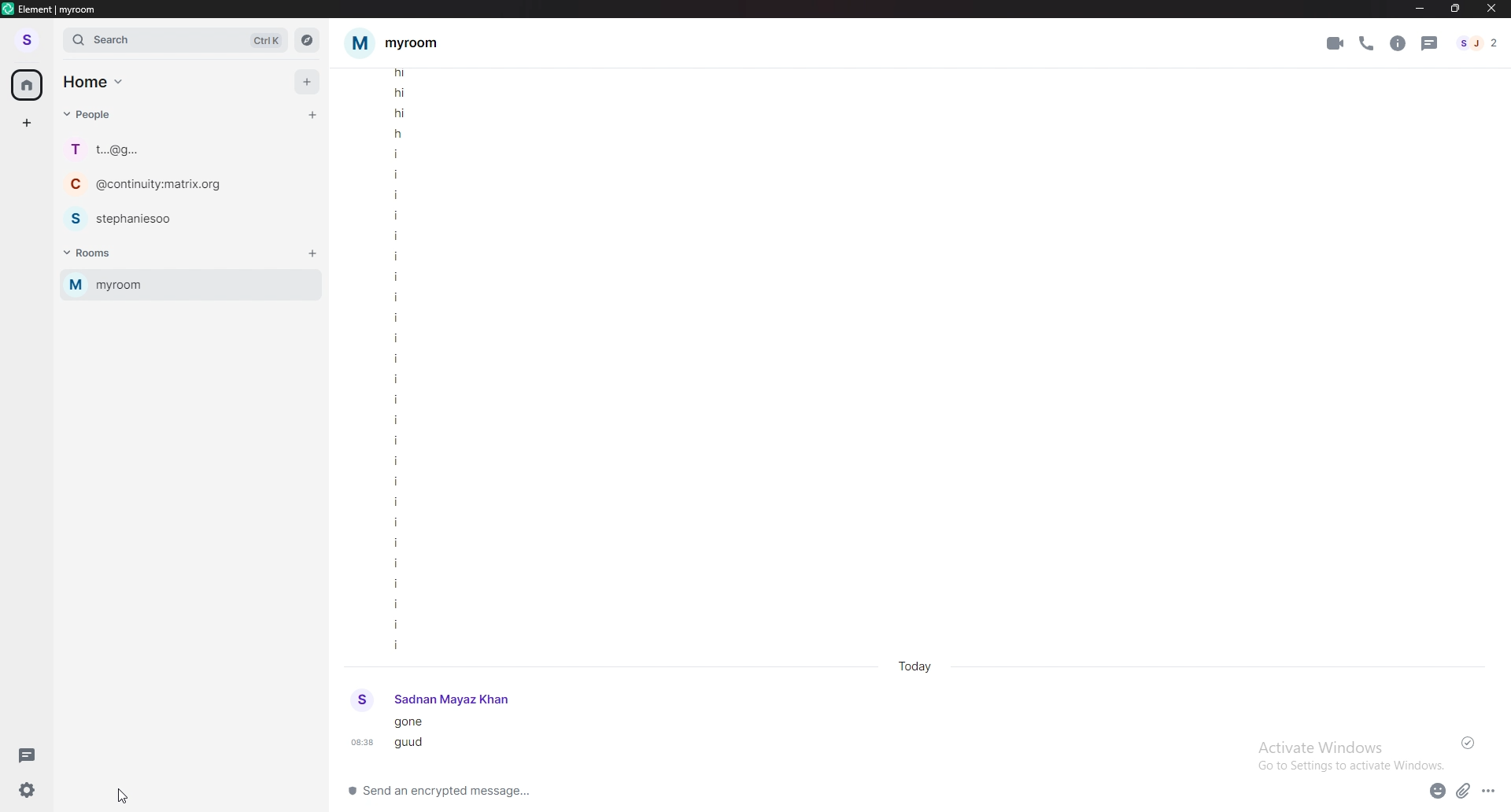 This screenshot has height=812, width=1511. What do you see at coordinates (1419, 9) in the screenshot?
I see `minimize` at bounding box center [1419, 9].